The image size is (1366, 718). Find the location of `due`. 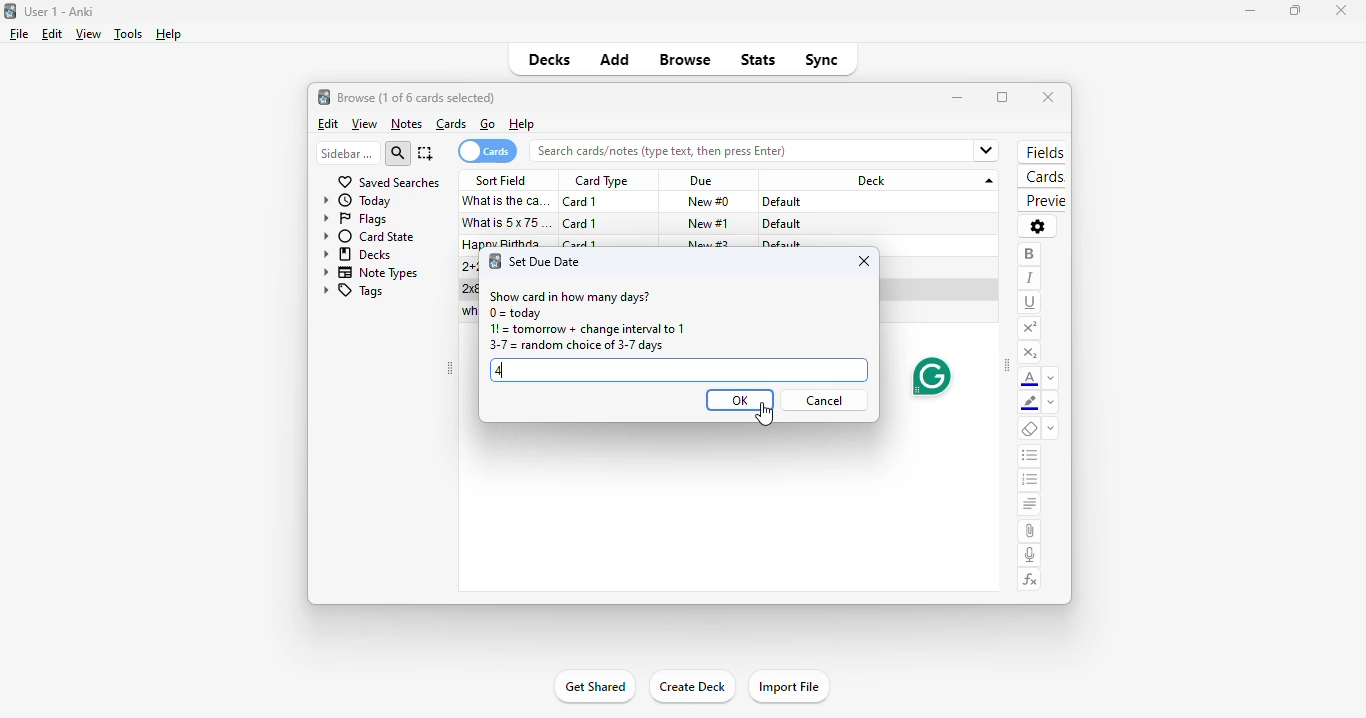

due is located at coordinates (701, 182).